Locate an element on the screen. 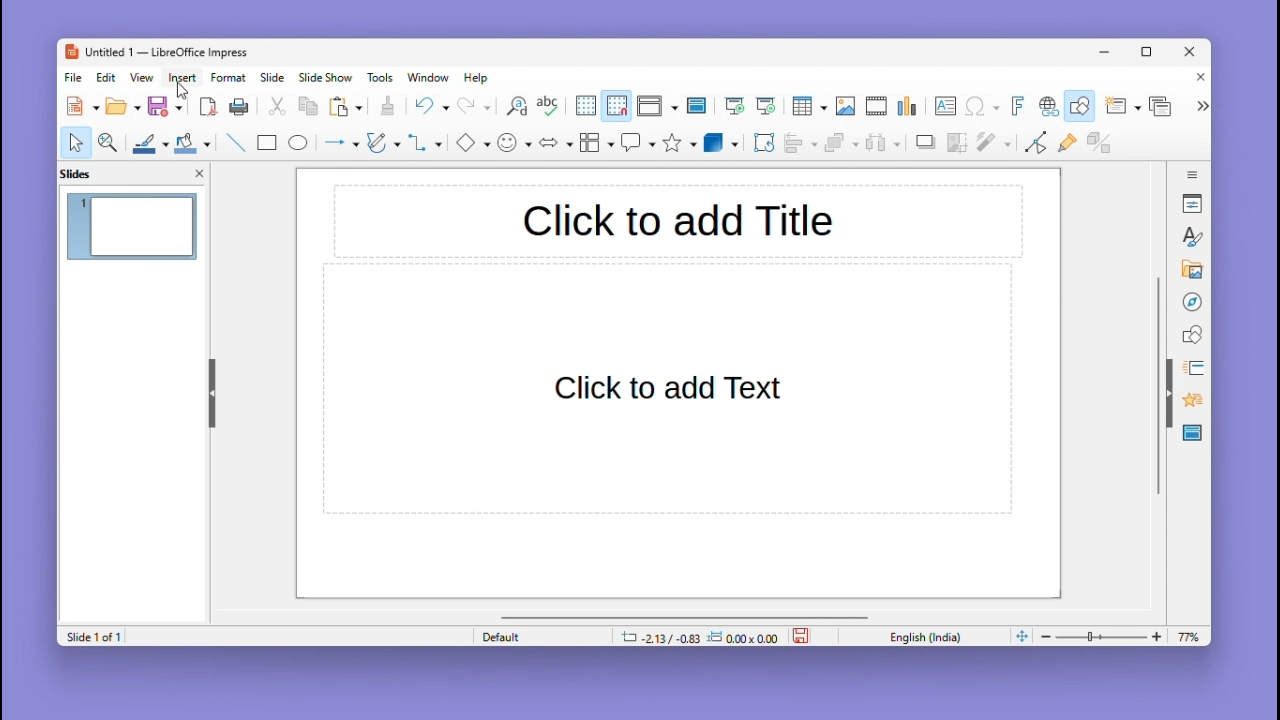  Video is located at coordinates (876, 107).